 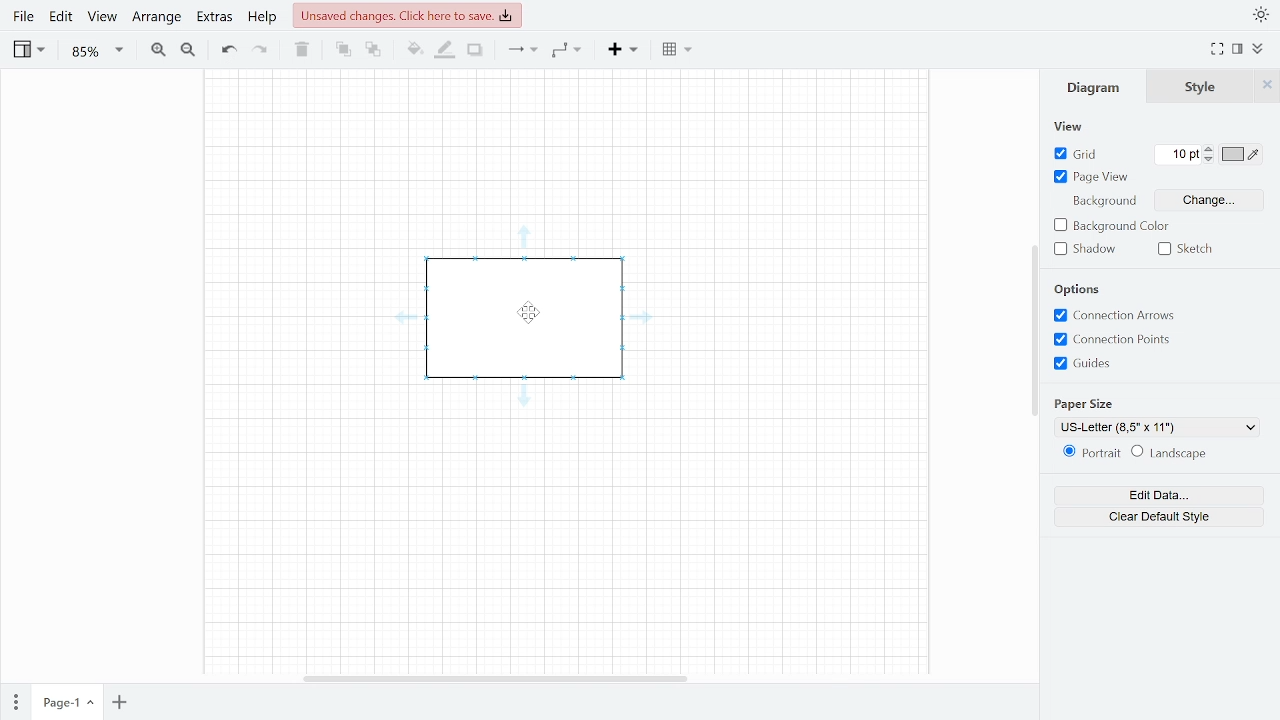 What do you see at coordinates (261, 50) in the screenshot?
I see `Redo` at bounding box center [261, 50].